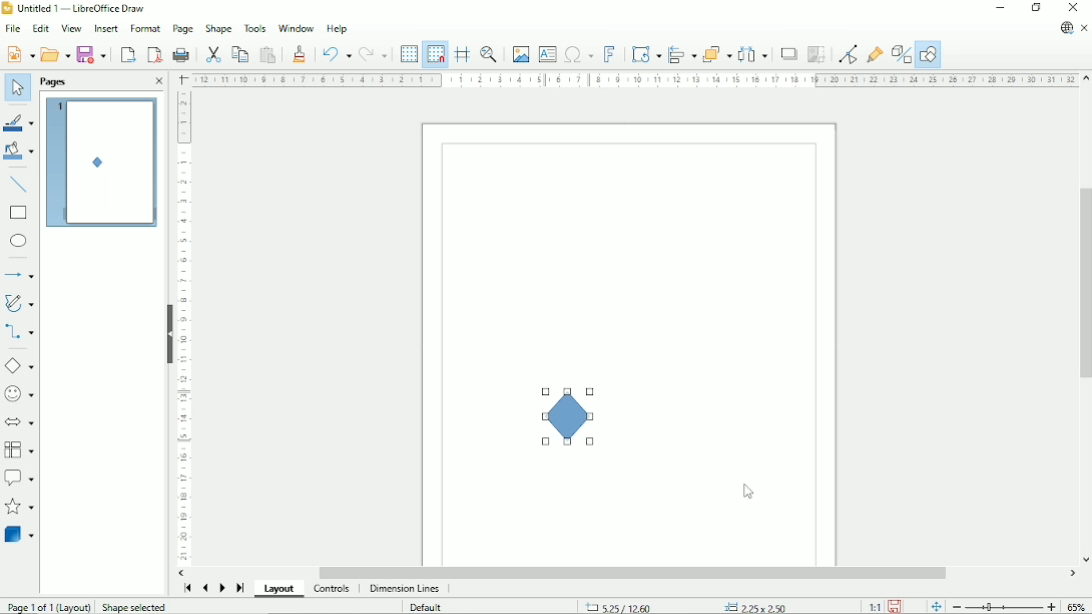  Describe the element at coordinates (848, 54) in the screenshot. I see `Toggle point edit mode` at that location.